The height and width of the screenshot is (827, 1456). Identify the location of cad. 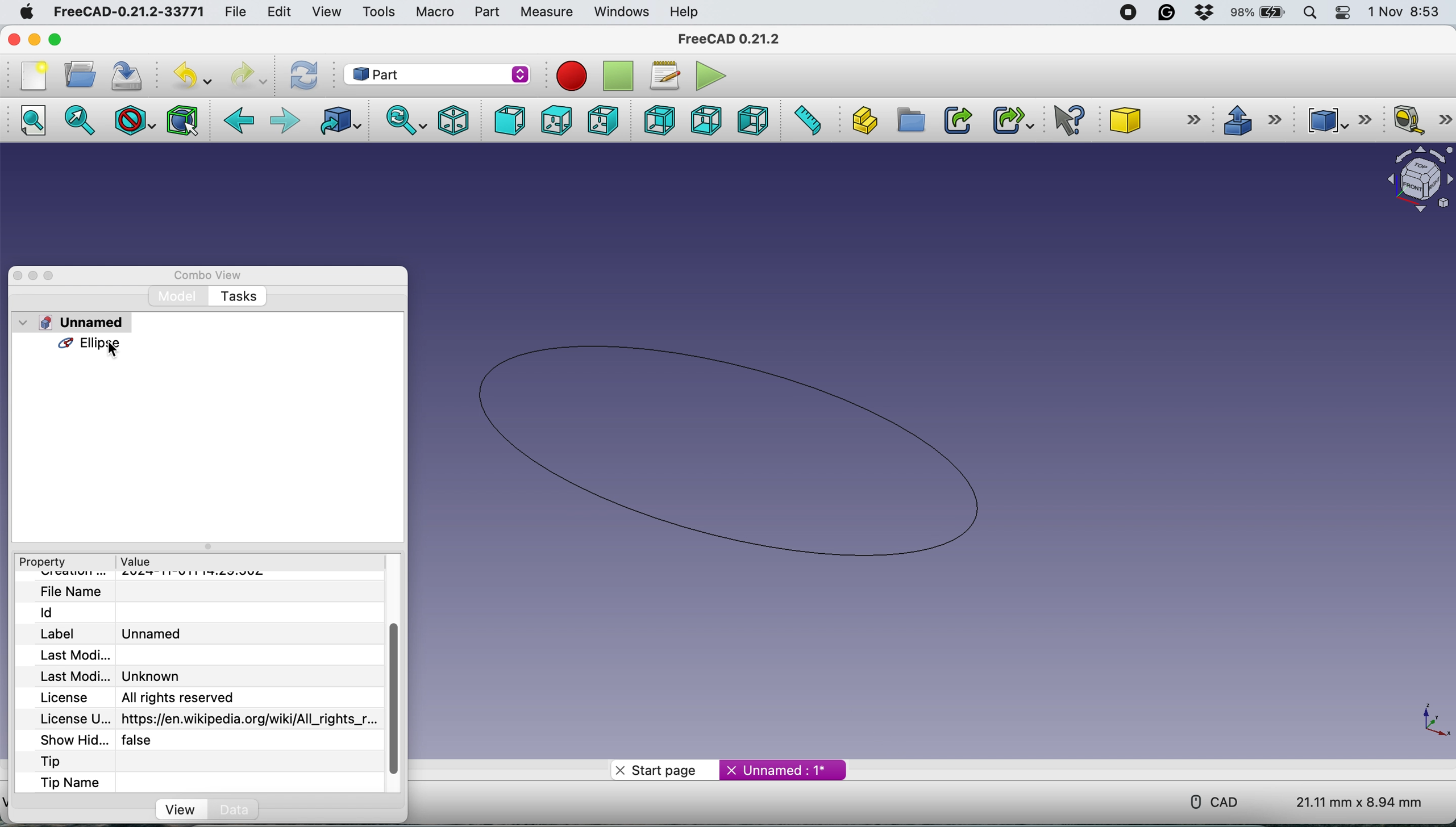
(1217, 800).